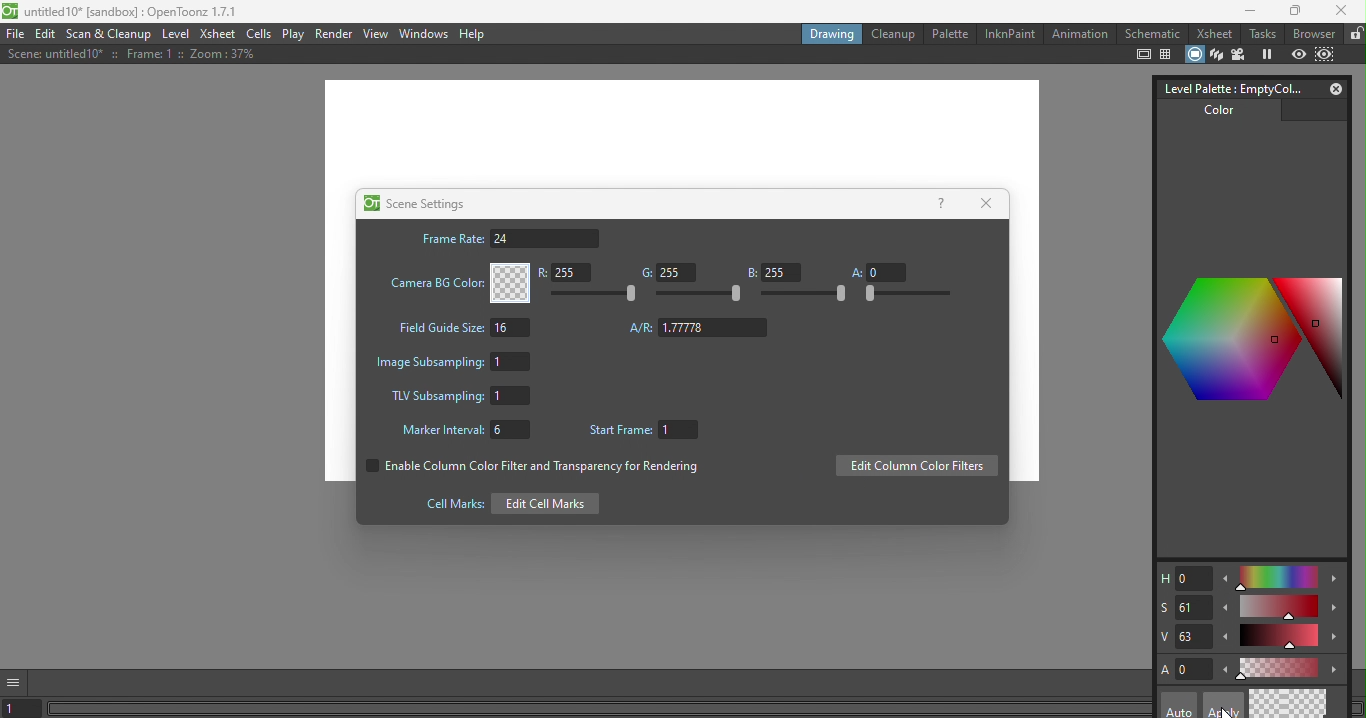  What do you see at coordinates (1186, 669) in the screenshot?
I see `A` at bounding box center [1186, 669].